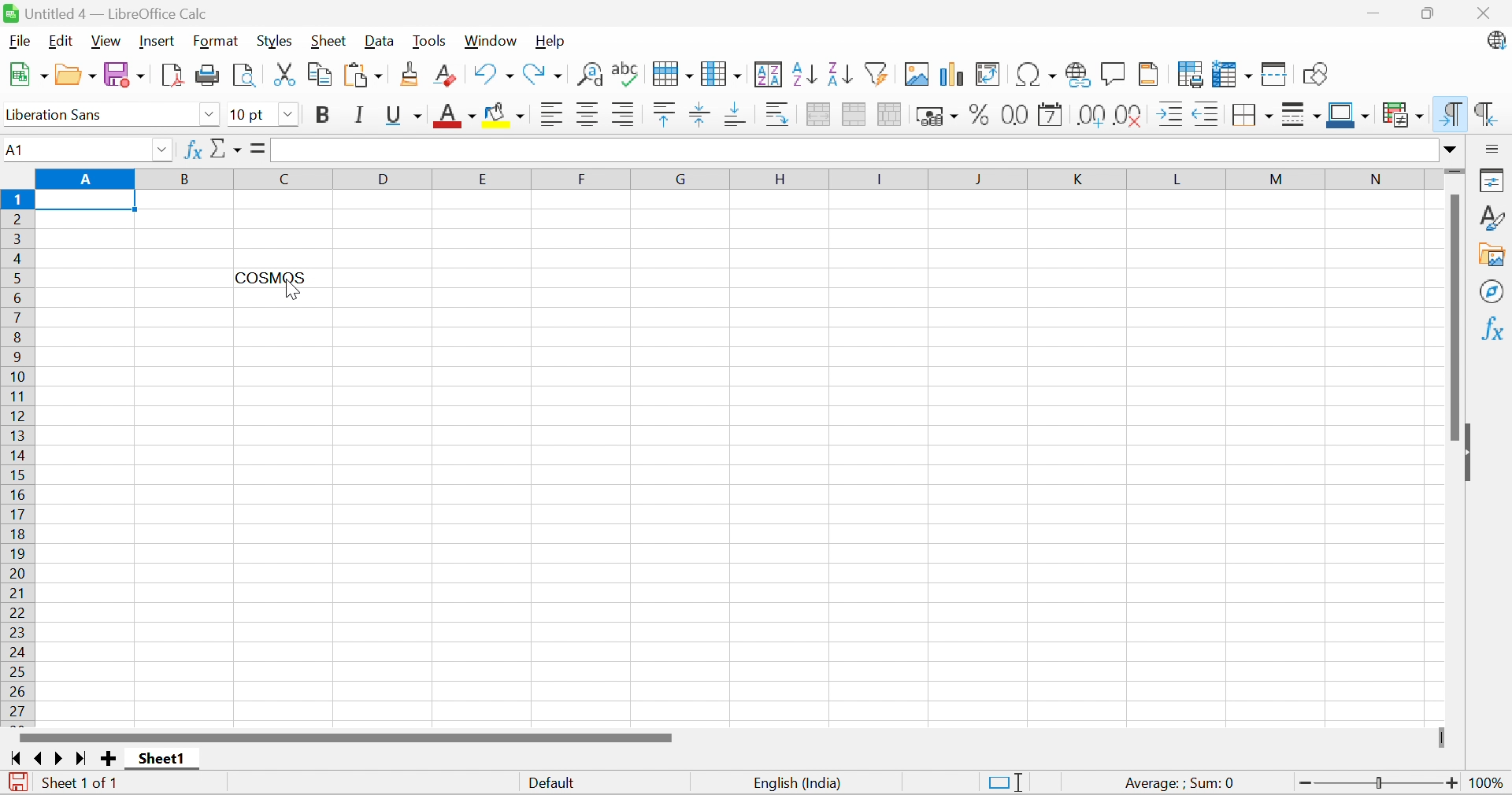  What do you see at coordinates (1494, 256) in the screenshot?
I see `Gallery` at bounding box center [1494, 256].